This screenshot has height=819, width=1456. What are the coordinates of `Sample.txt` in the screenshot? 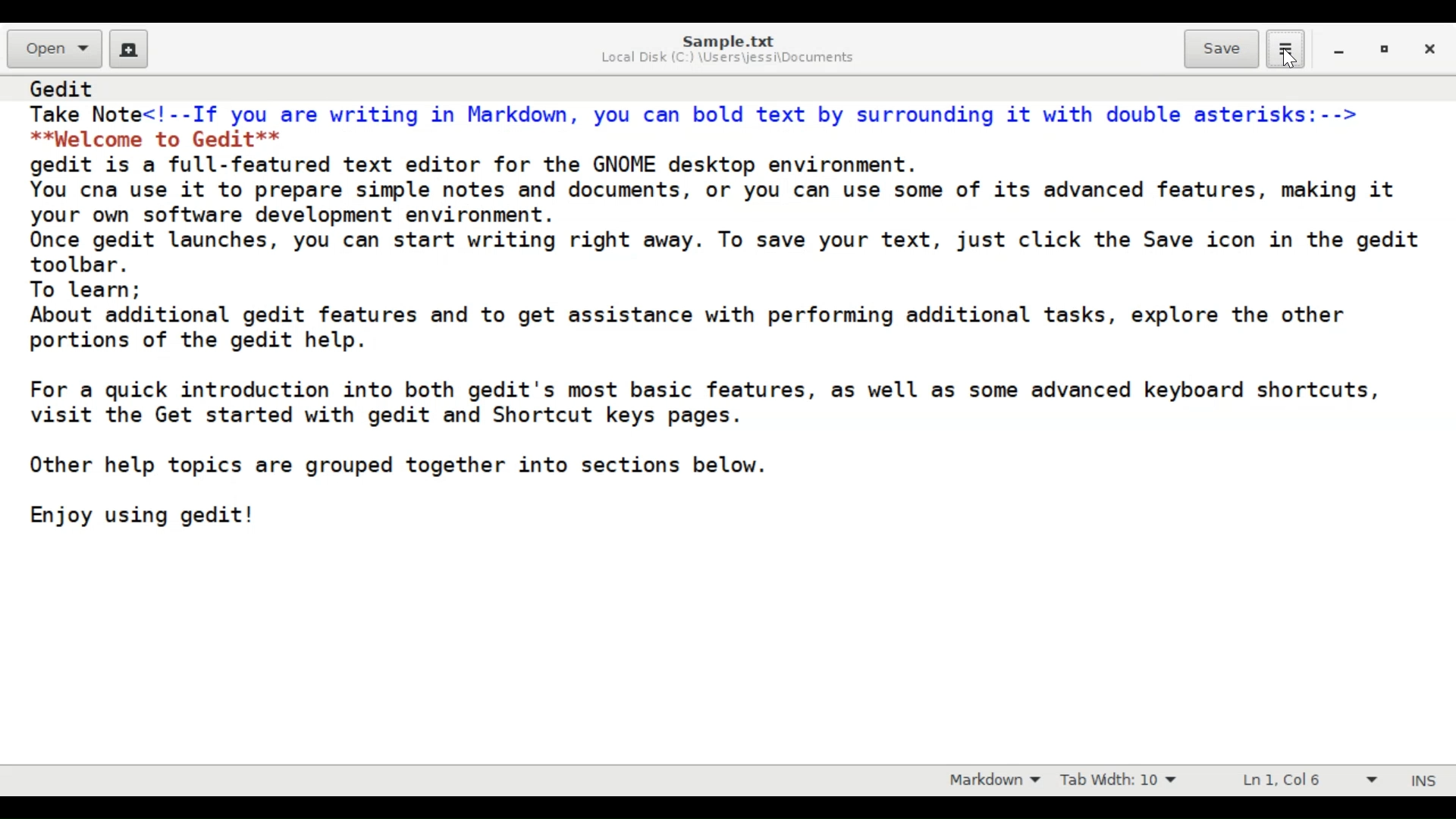 It's located at (729, 41).